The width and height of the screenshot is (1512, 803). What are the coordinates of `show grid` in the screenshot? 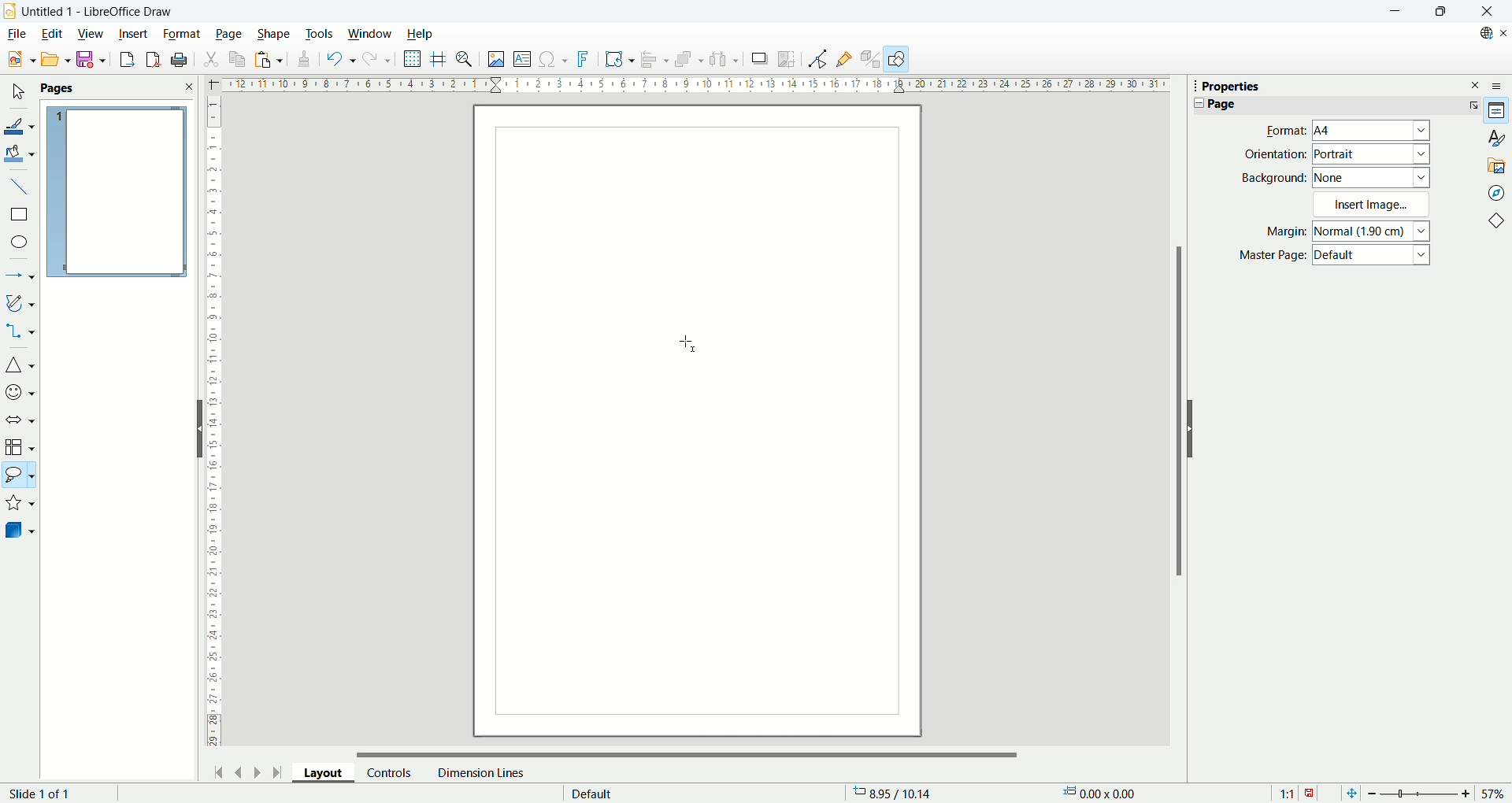 It's located at (413, 59).